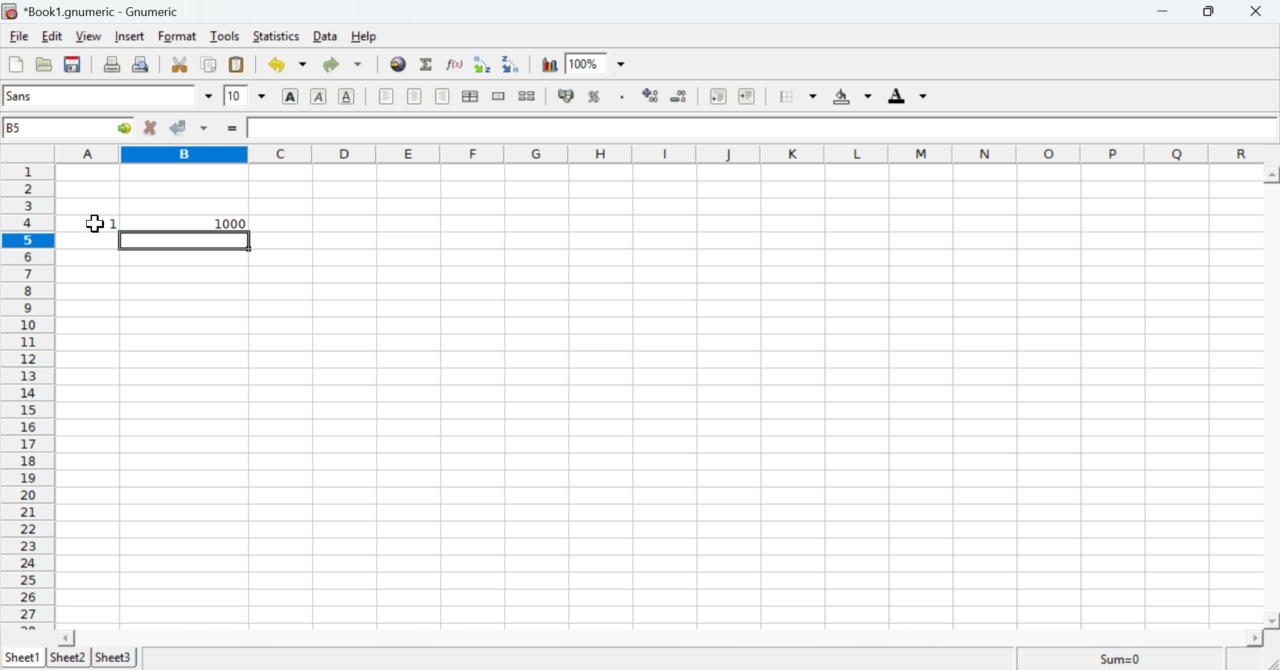 This screenshot has height=670, width=1280. Describe the element at coordinates (148, 129) in the screenshot. I see `Cancel change` at that location.